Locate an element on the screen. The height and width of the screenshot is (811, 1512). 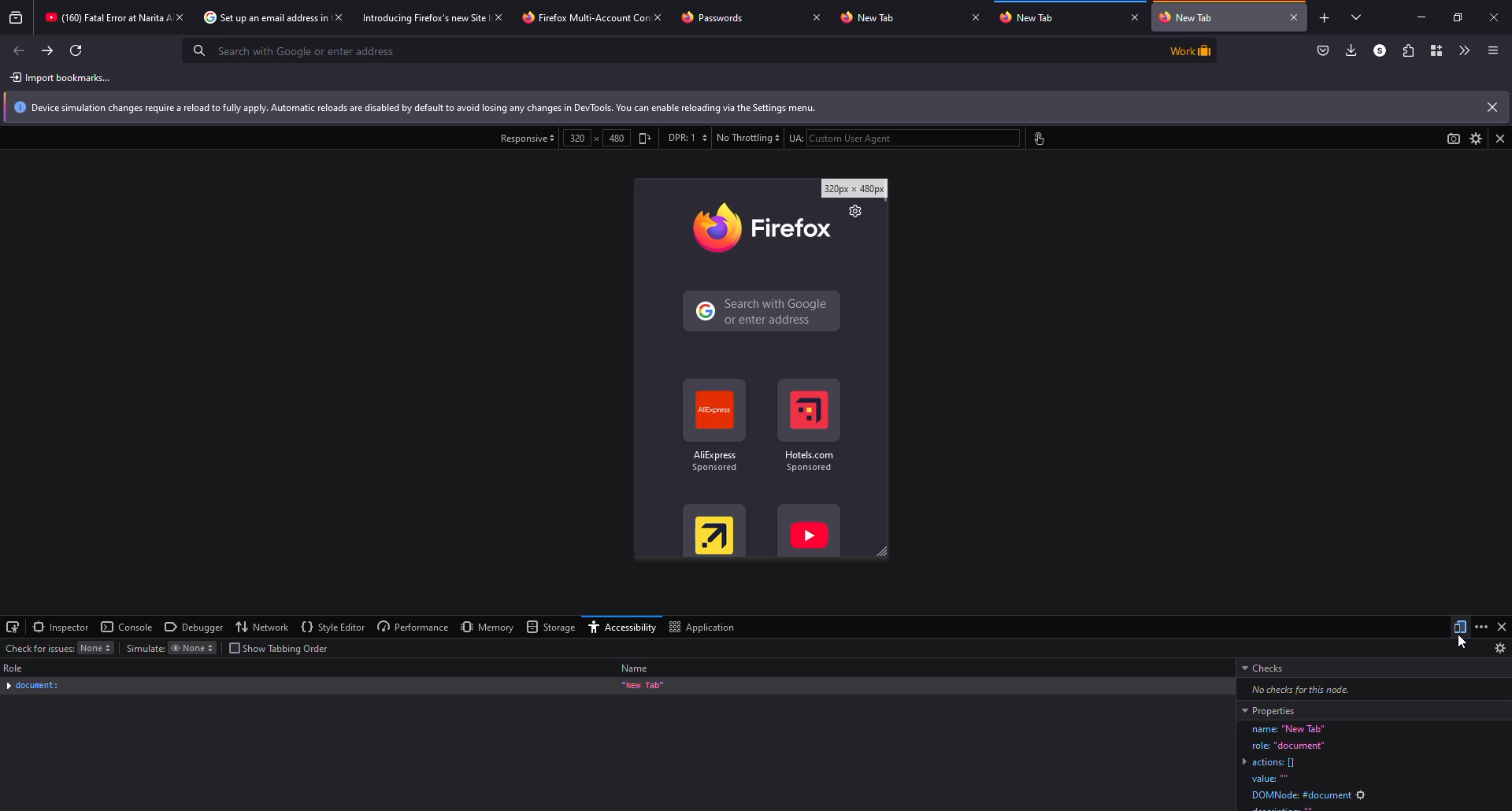
view recent is located at coordinates (16, 17).